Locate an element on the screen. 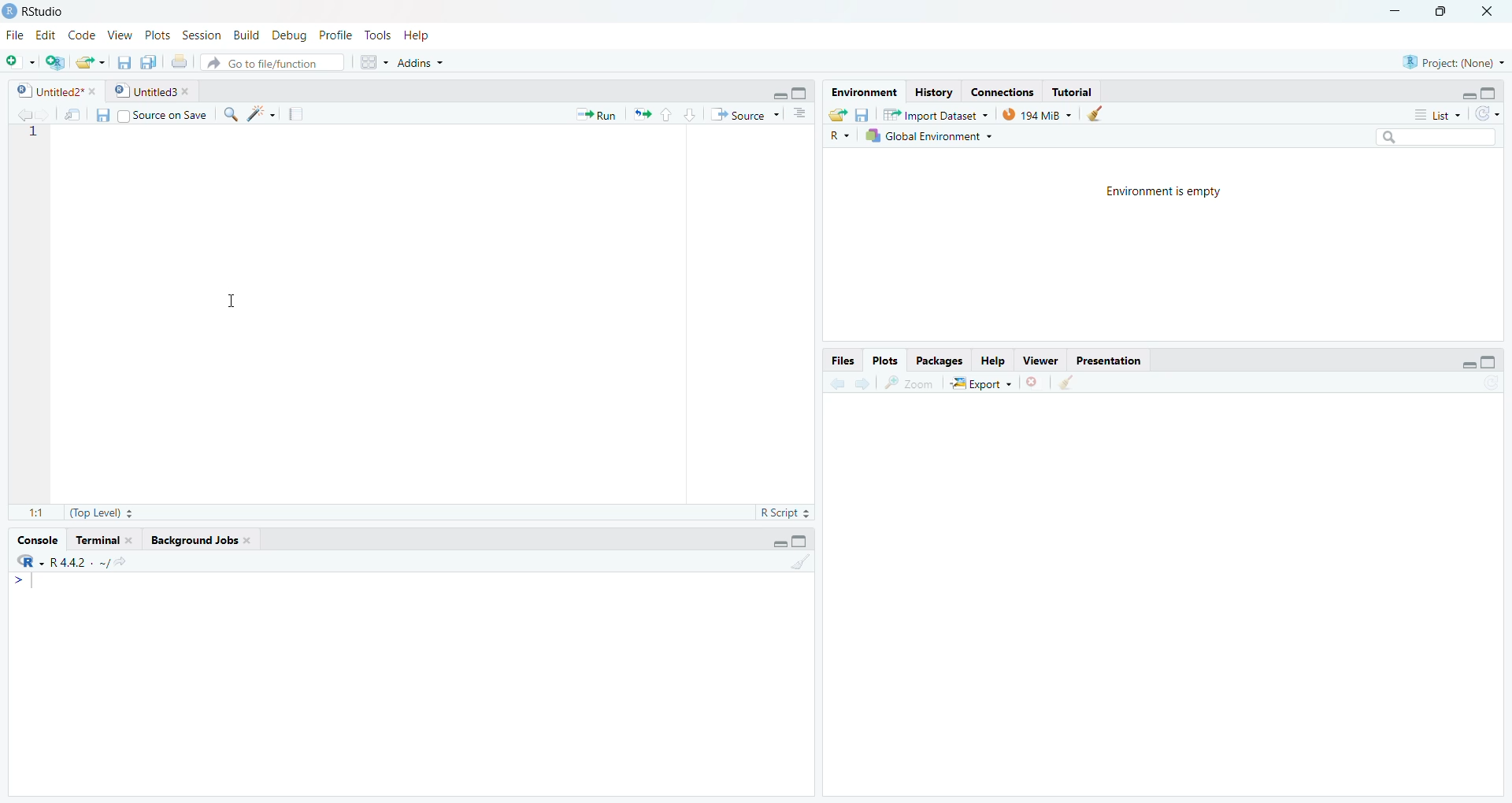 This screenshot has width=1512, height=803. List is located at coordinates (1436, 114).